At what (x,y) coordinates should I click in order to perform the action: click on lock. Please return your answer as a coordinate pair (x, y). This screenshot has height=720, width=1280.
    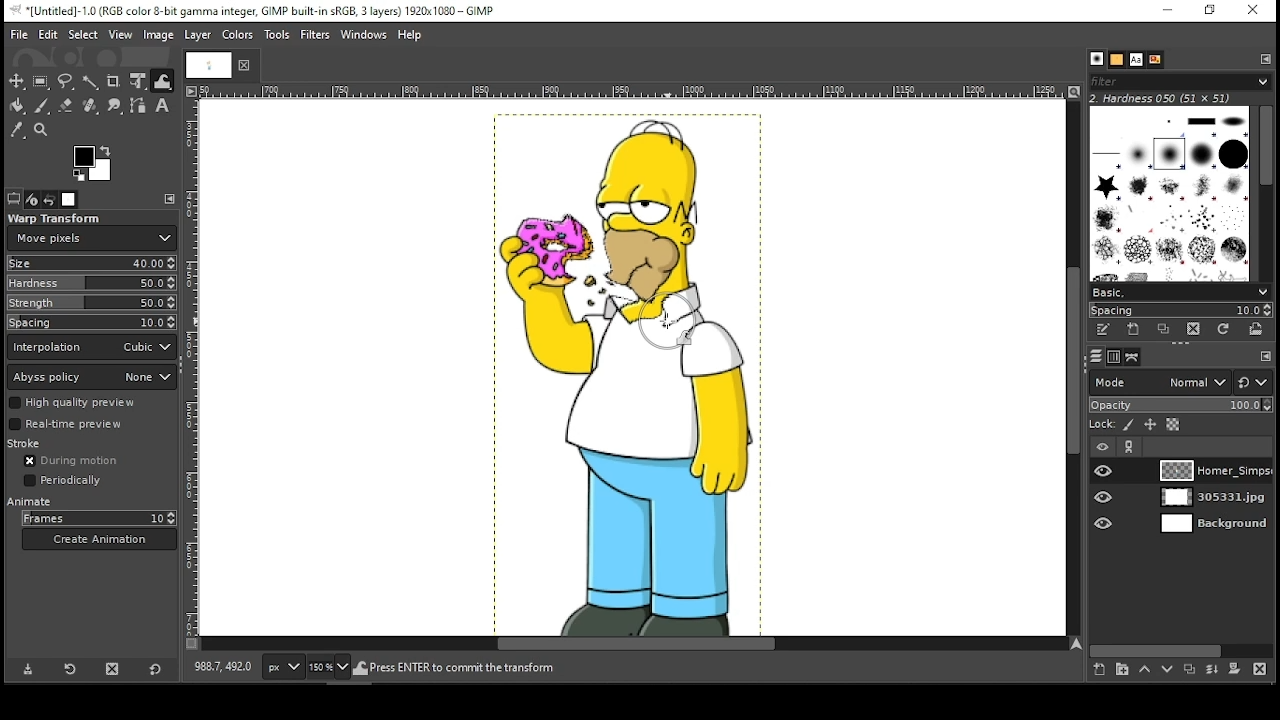
    Looking at the image, I should click on (1102, 425).